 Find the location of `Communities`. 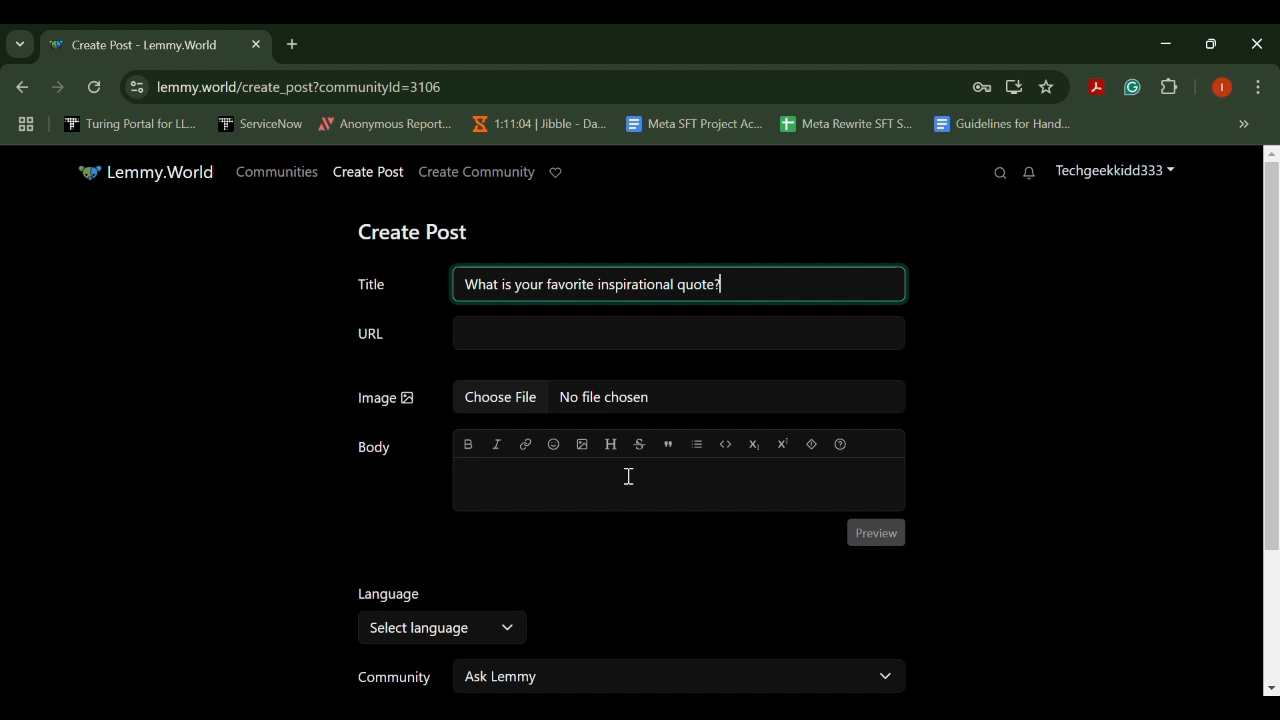

Communities is located at coordinates (277, 171).